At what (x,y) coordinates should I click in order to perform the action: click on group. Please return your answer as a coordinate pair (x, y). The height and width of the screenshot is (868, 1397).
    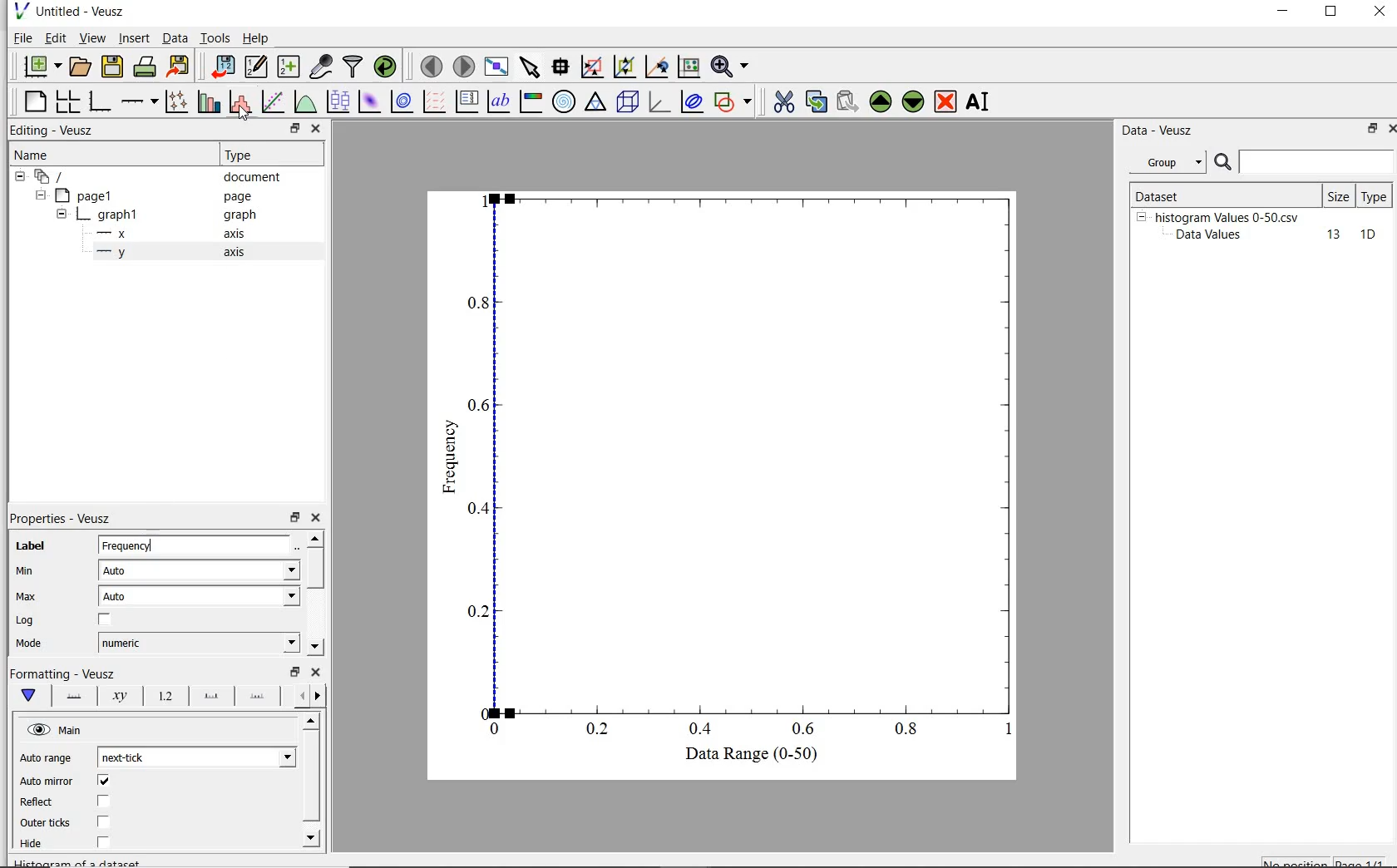
    Looking at the image, I should click on (1166, 162).